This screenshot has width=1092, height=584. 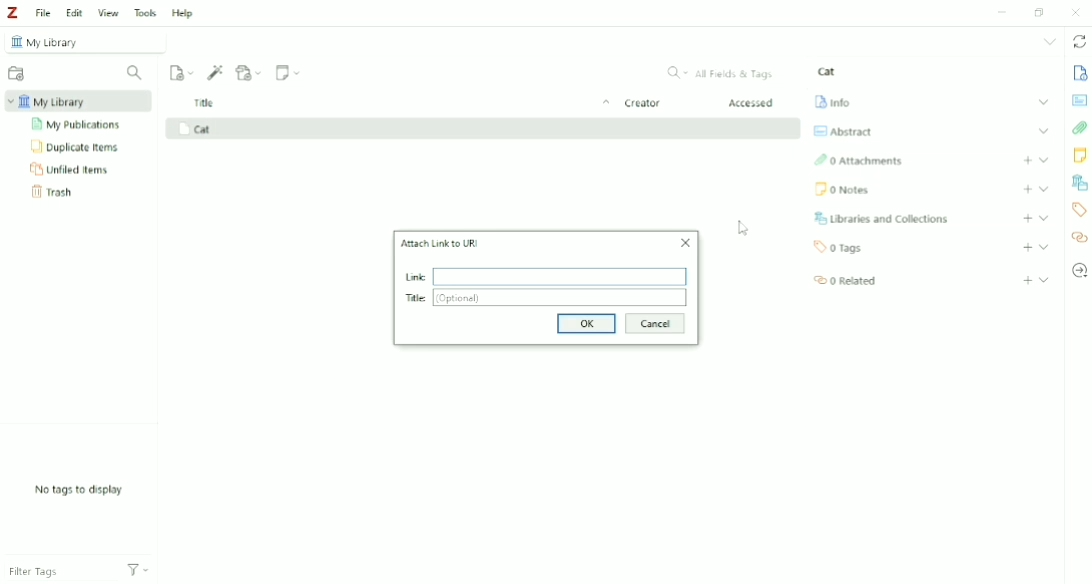 I want to click on Add, so click(x=1028, y=248).